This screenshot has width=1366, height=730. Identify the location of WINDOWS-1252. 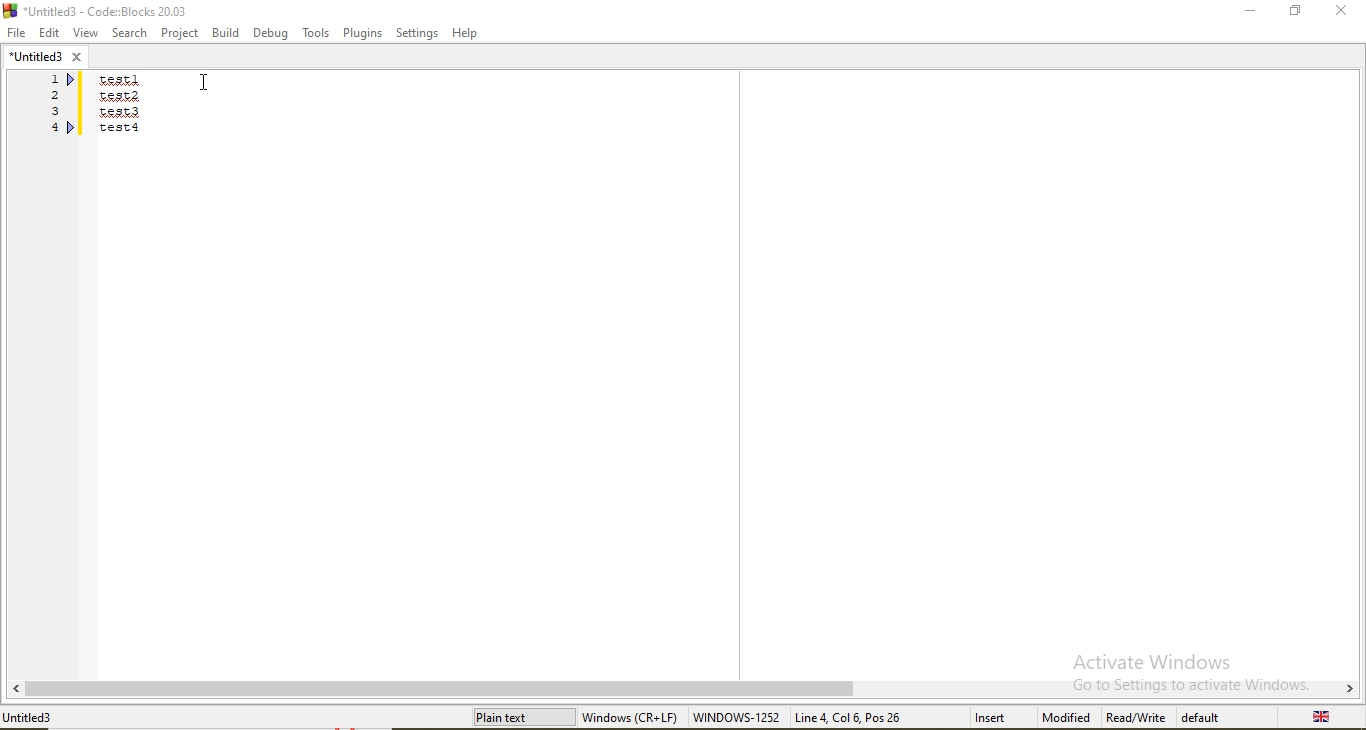
(737, 717).